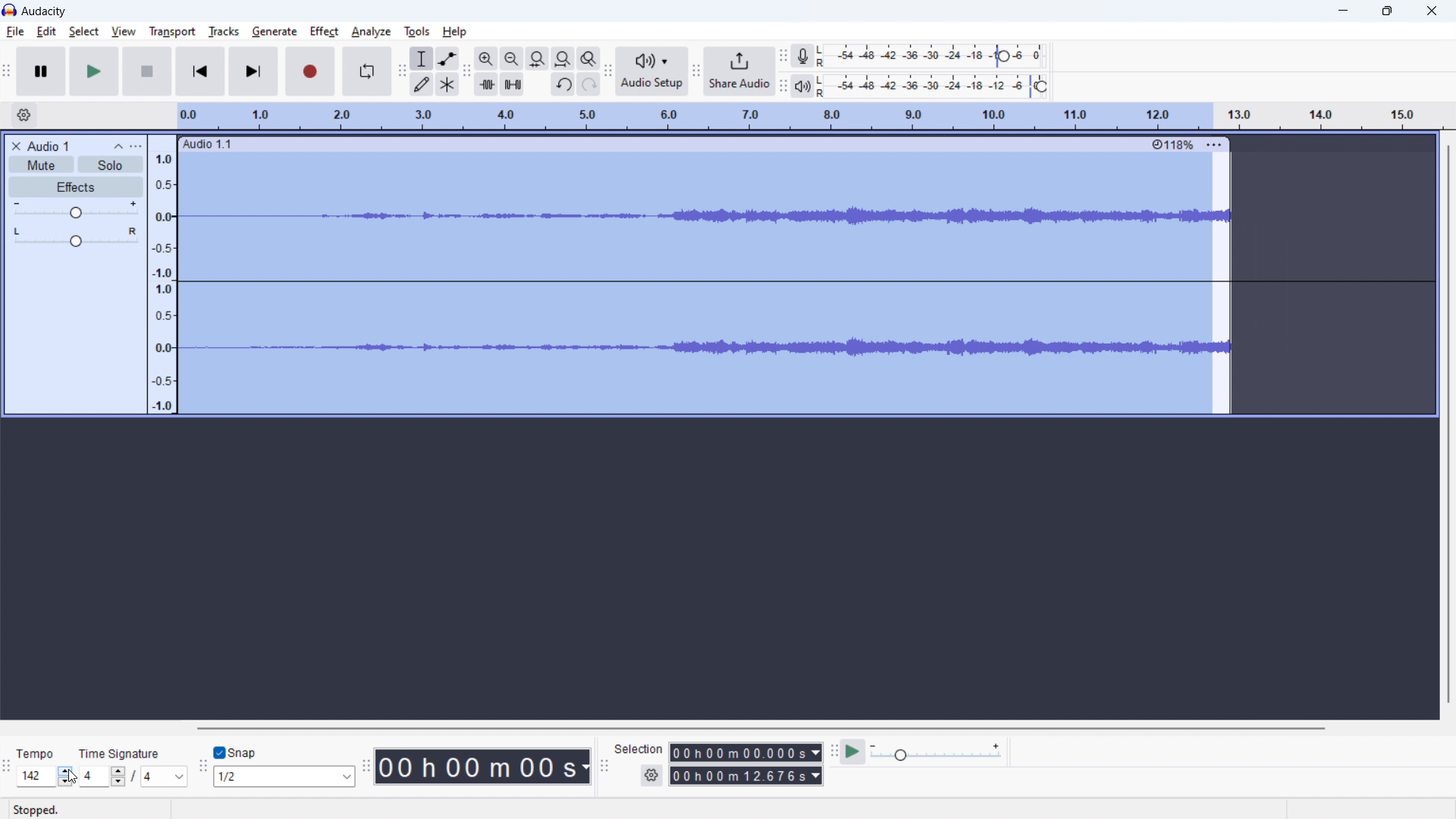 Image resolution: width=1456 pixels, height=819 pixels. I want to click on volume, so click(74, 209).